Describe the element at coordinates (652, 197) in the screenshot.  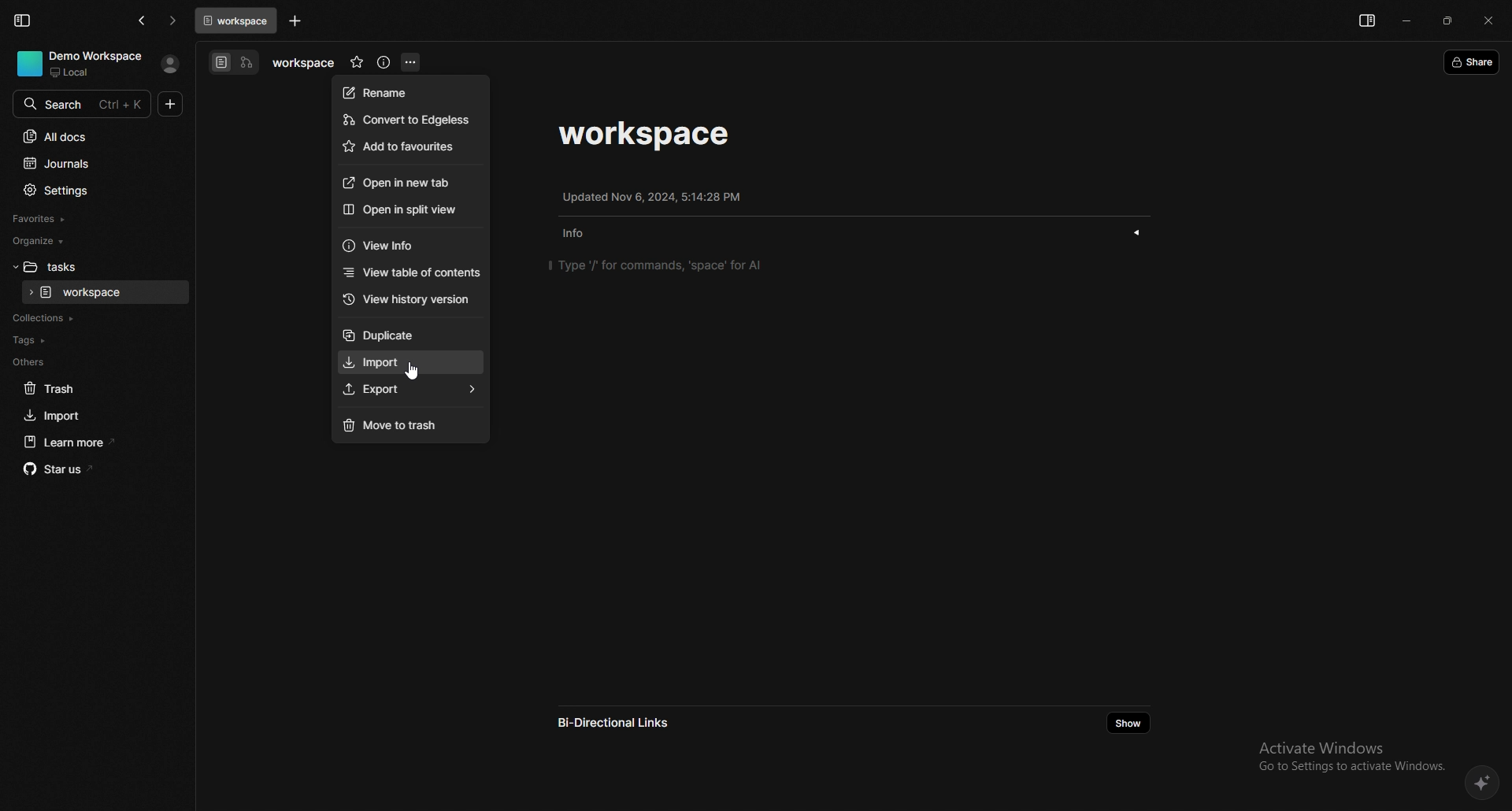
I see `update info` at that location.